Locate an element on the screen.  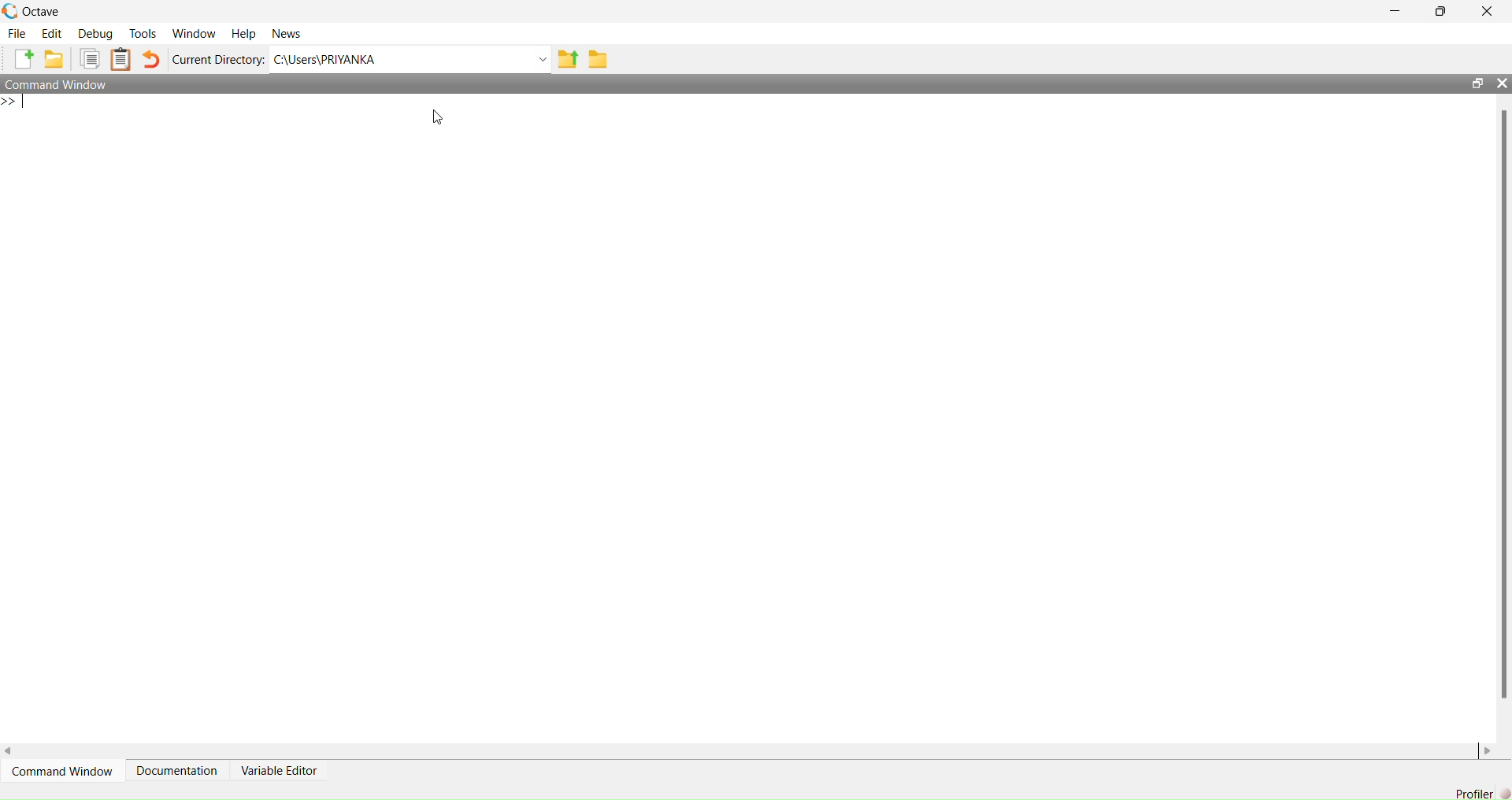
Profiler is located at coordinates (1483, 793).